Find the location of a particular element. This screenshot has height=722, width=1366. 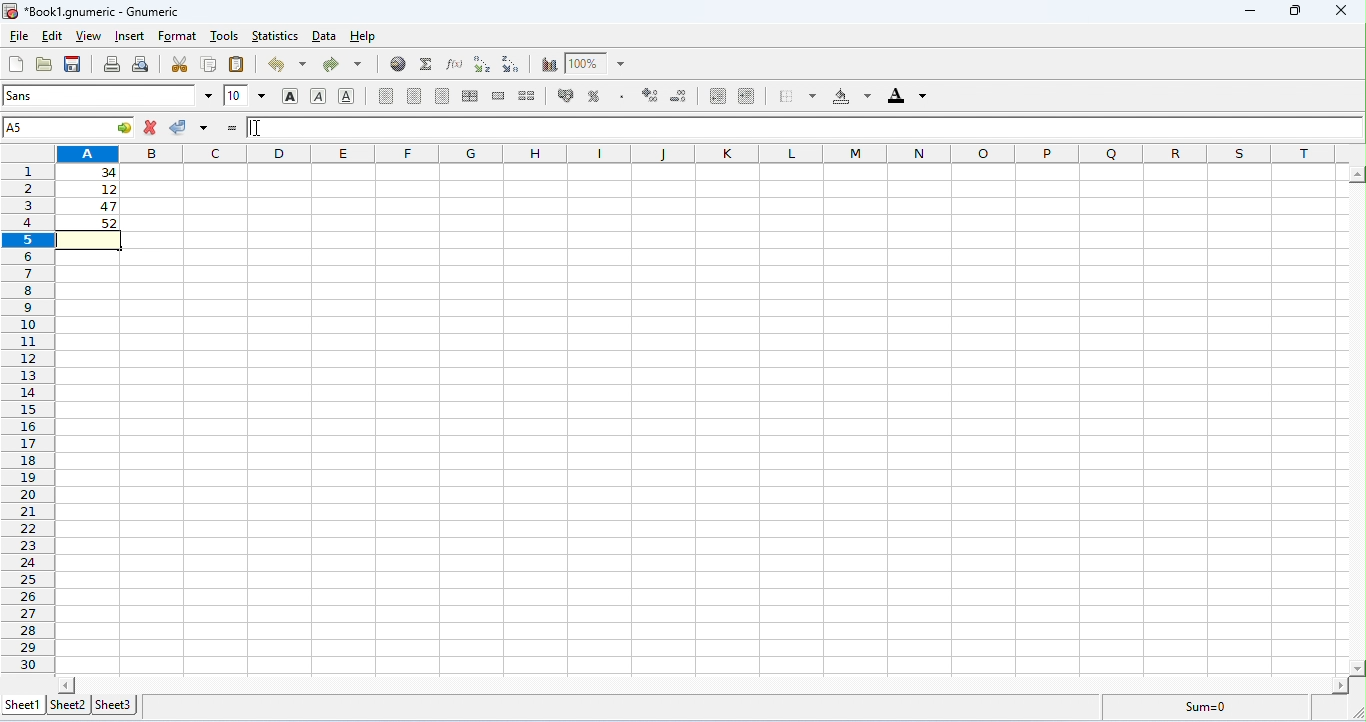

help is located at coordinates (365, 37).